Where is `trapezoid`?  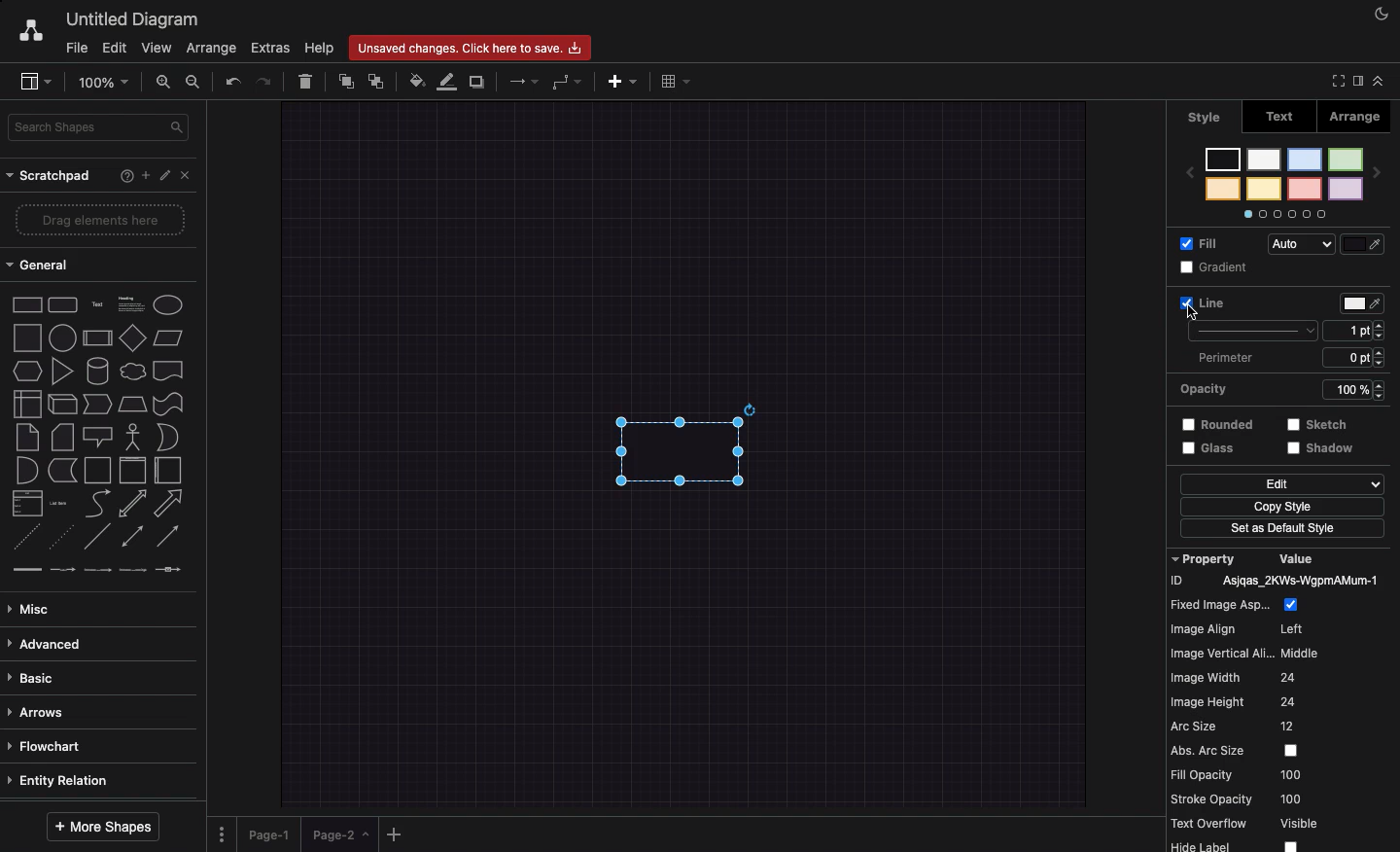 trapezoid is located at coordinates (131, 403).